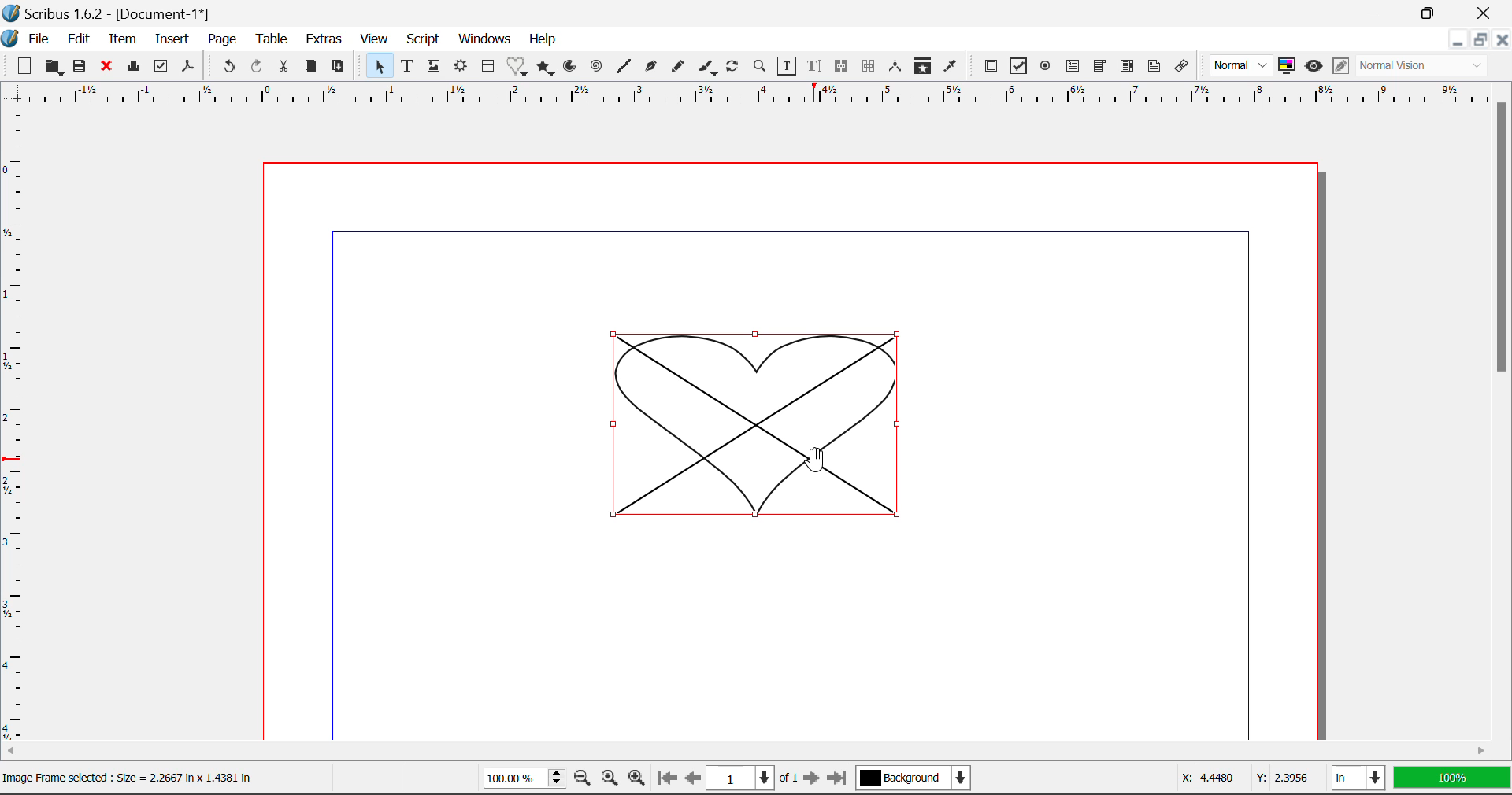  I want to click on Pdf Push Button, so click(991, 66).